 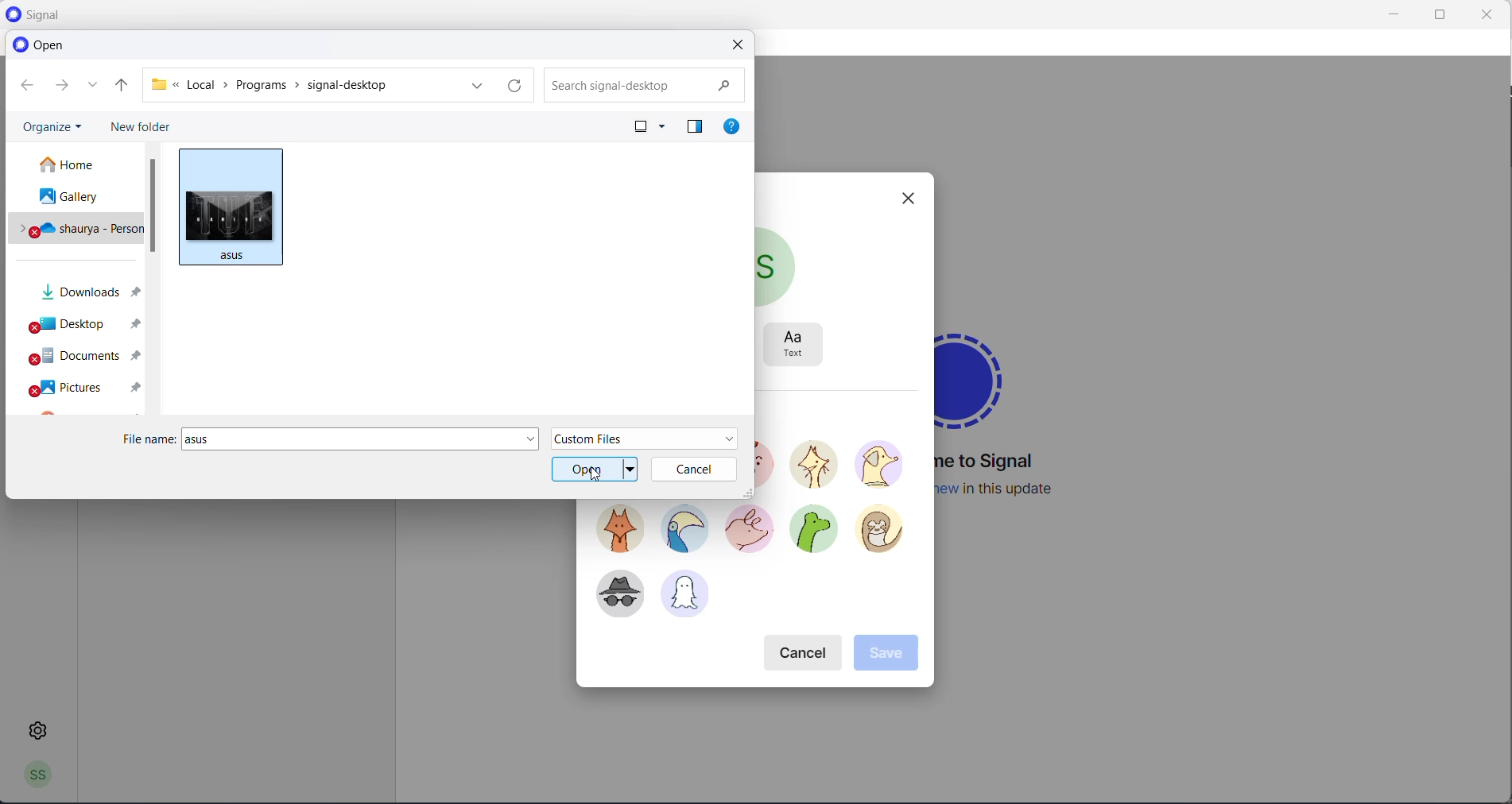 What do you see at coordinates (584, 470) in the screenshot?
I see `open` at bounding box center [584, 470].